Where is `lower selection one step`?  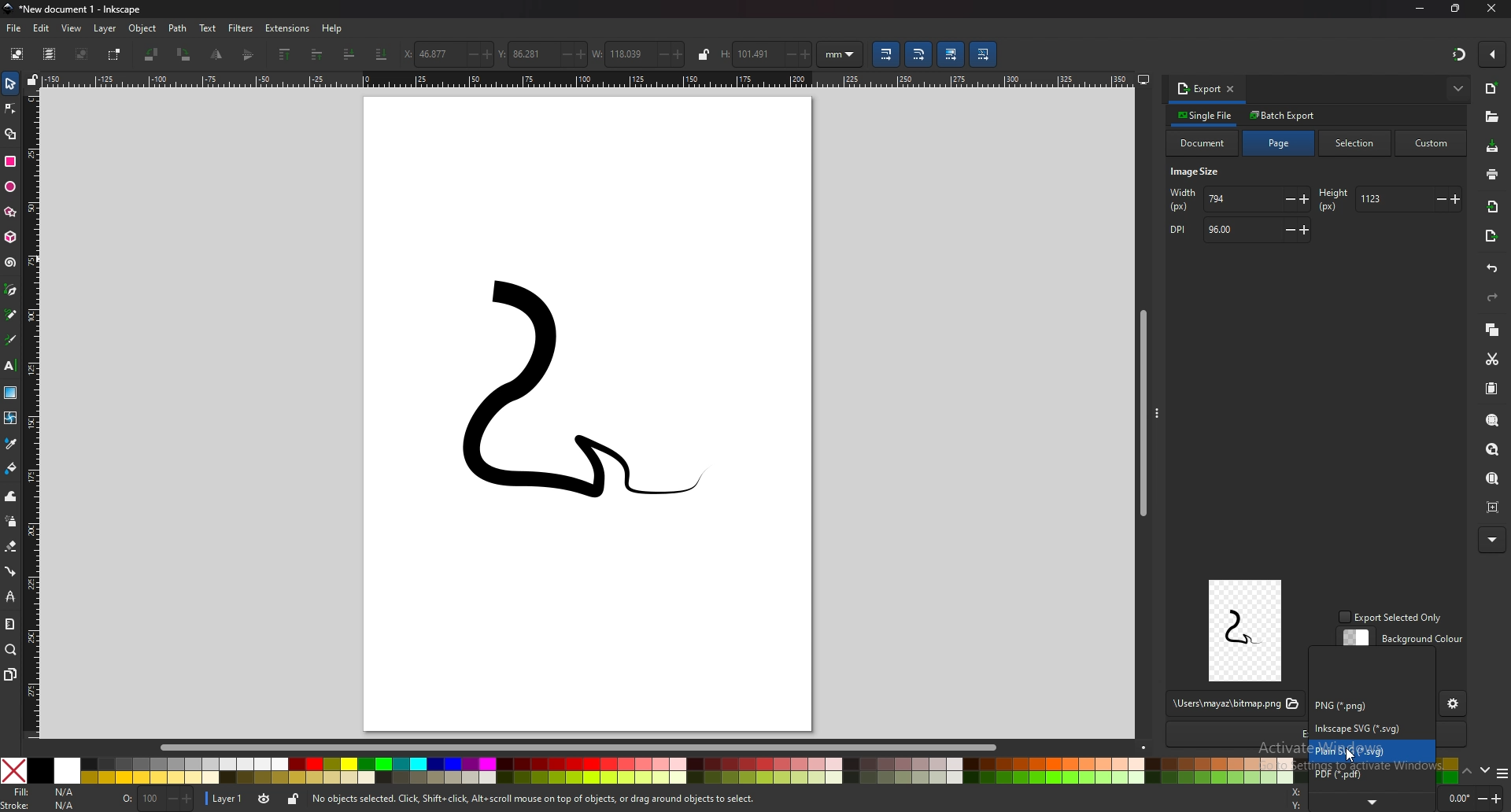 lower selection one step is located at coordinates (350, 53).